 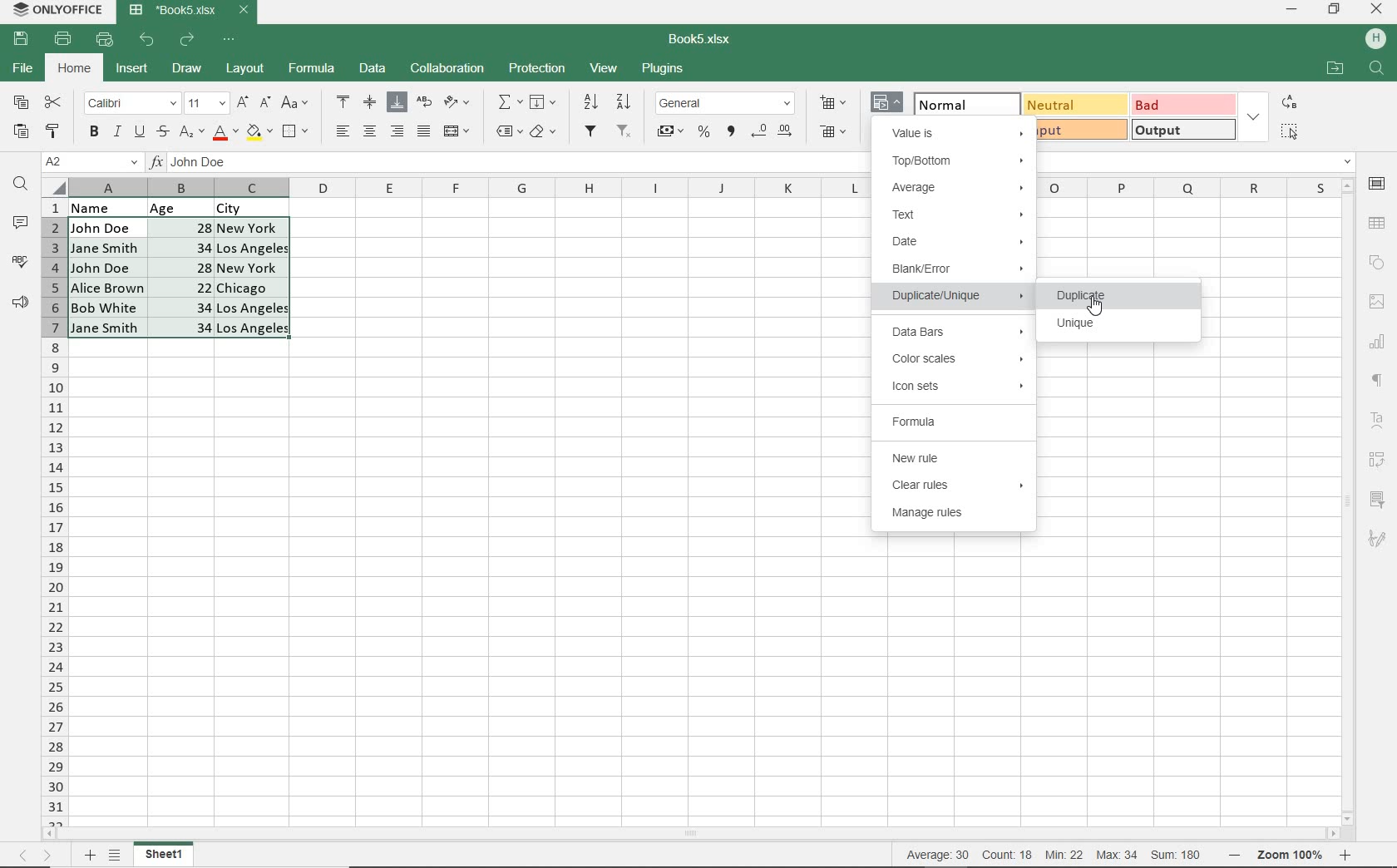 What do you see at coordinates (165, 855) in the screenshot?
I see `sheet 1` at bounding box center [165, 855].